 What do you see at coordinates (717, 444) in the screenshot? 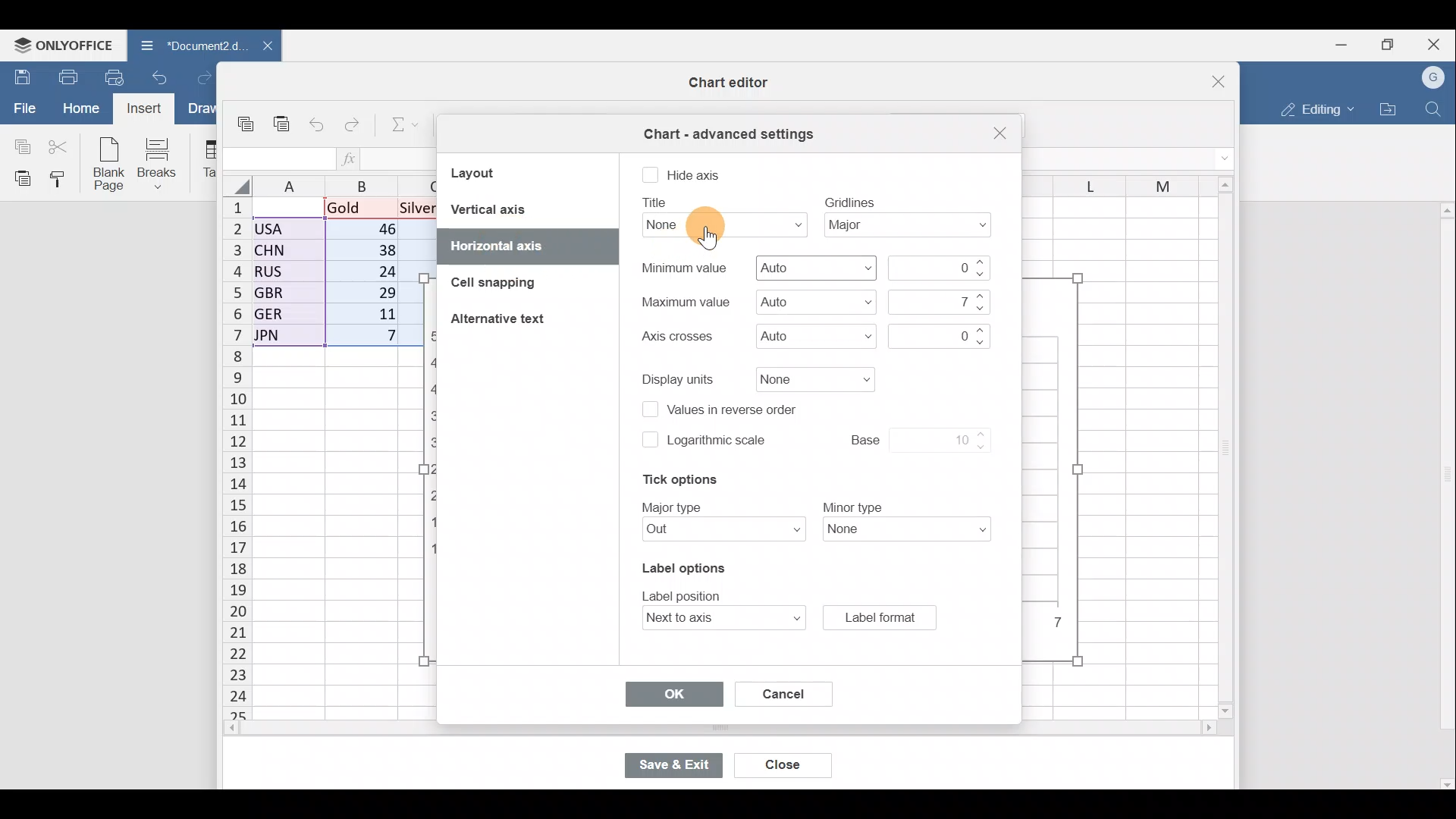
I see `Logarithmic scale` at bounding box center [717, 444].